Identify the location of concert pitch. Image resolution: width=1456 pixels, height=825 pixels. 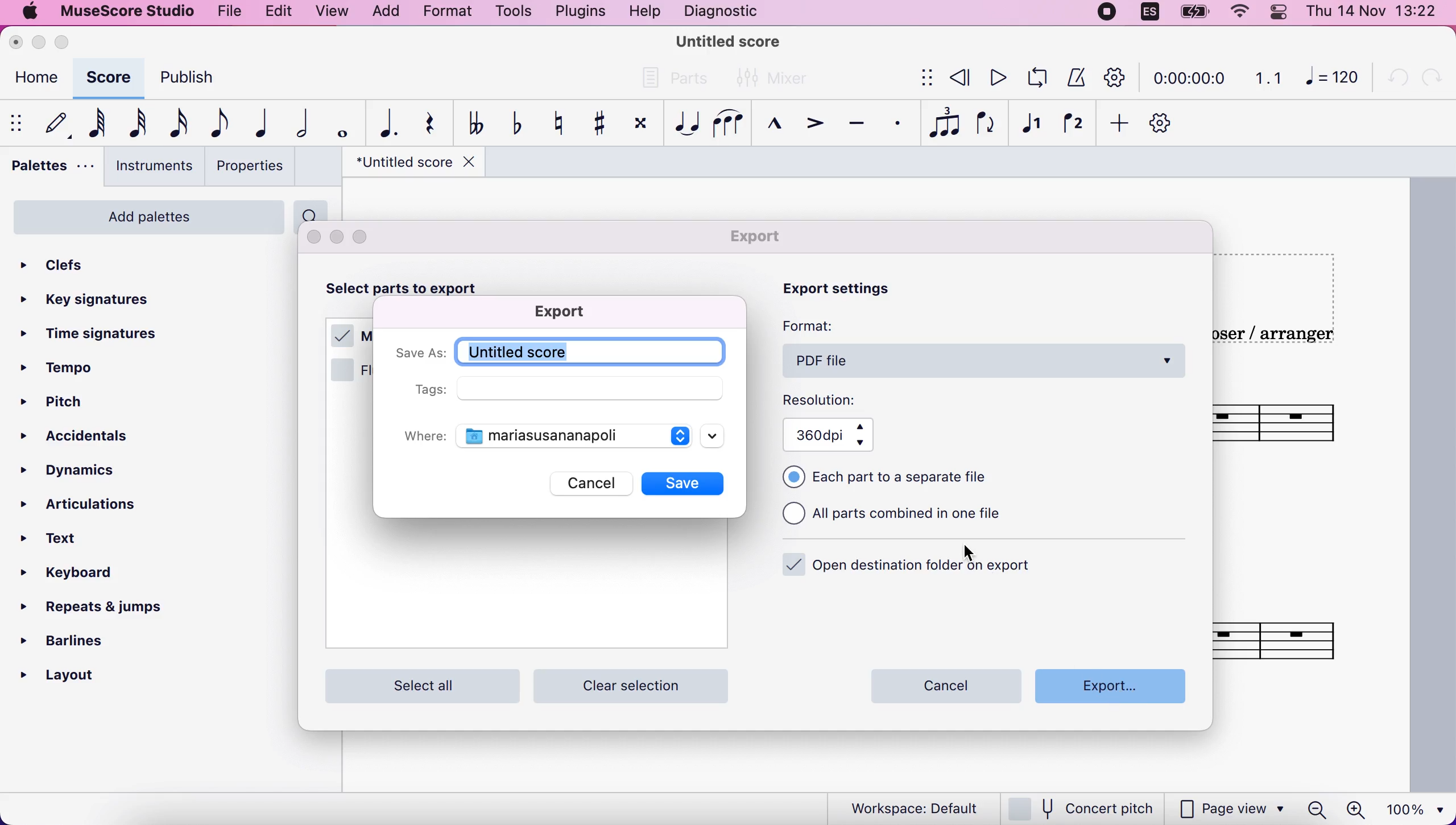
(1084, 807).